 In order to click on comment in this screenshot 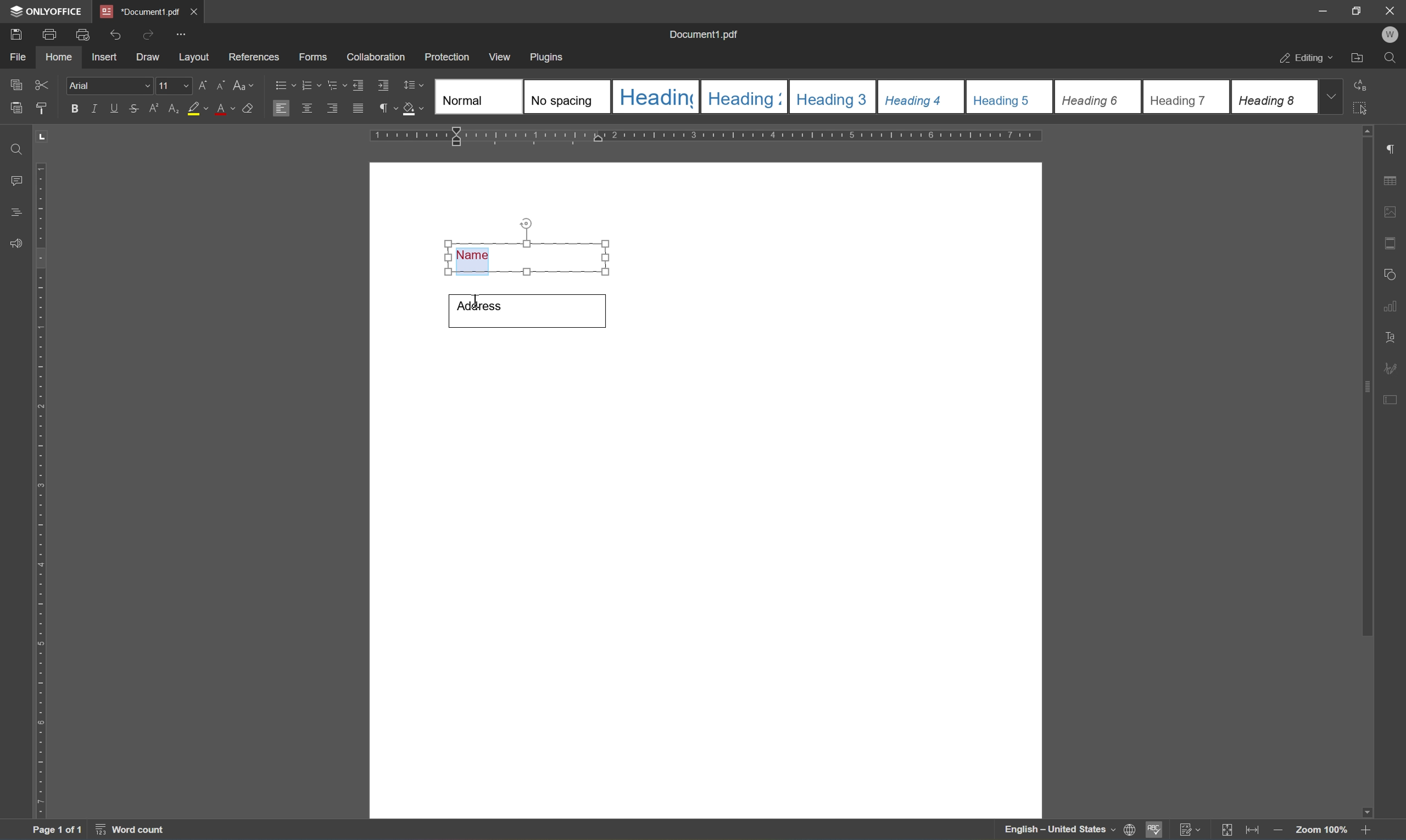, I will do `click(14, 179)`.